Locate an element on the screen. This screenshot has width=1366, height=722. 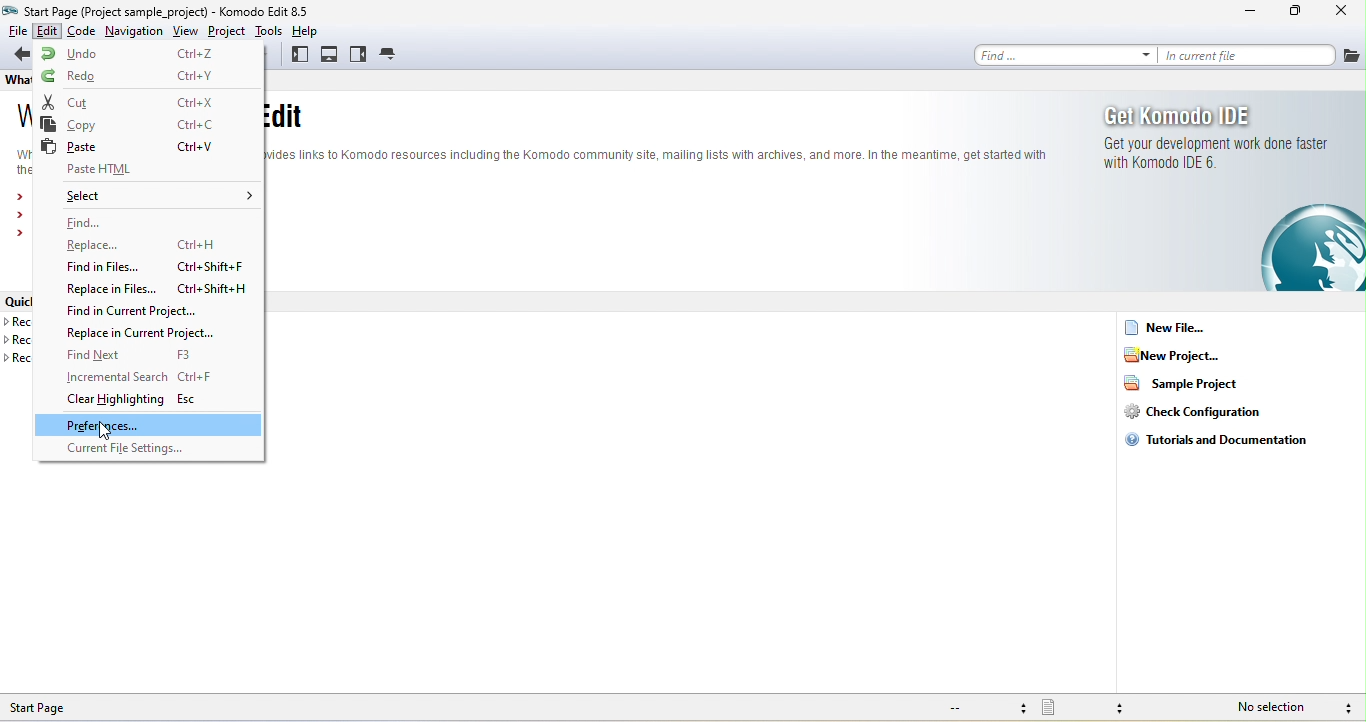
text is located at coordinates (658, 134).